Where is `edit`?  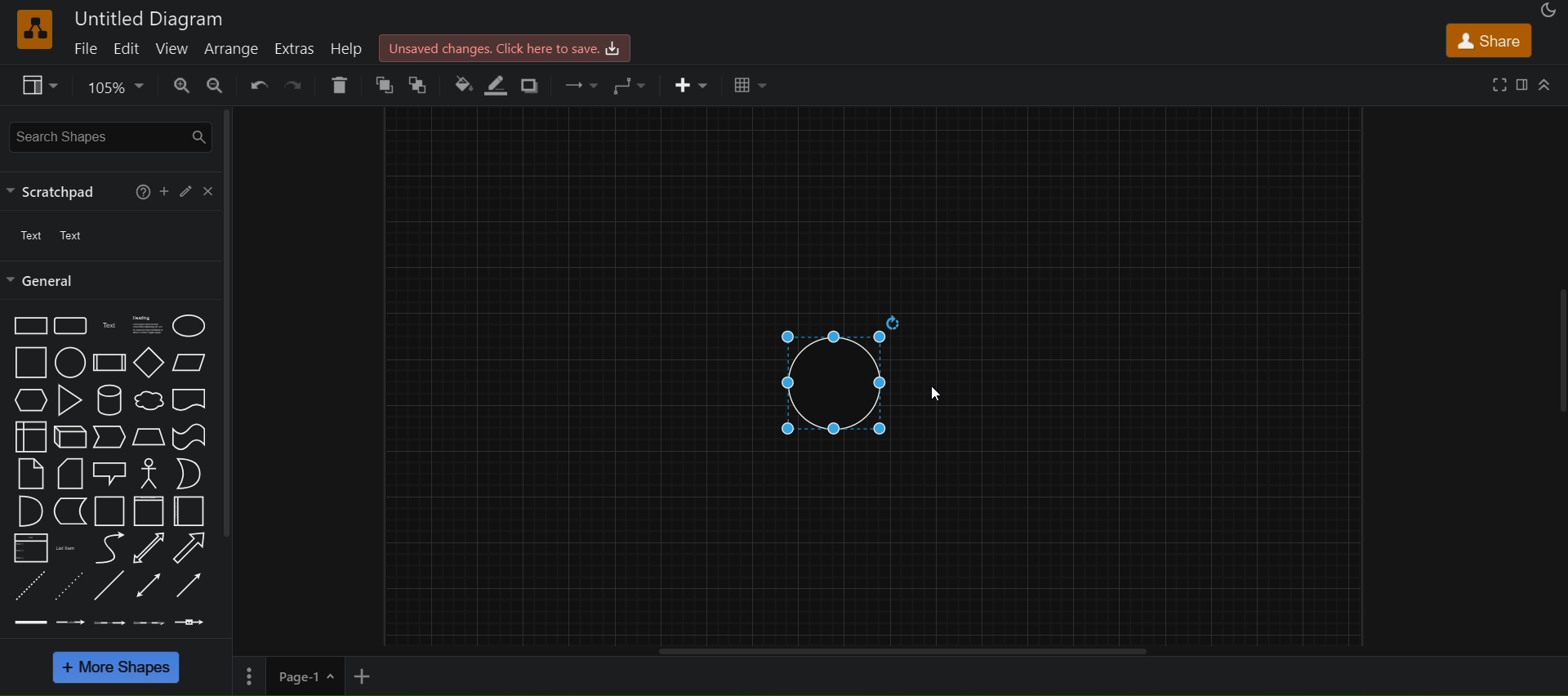
edit is located at coordinates (128, 51).